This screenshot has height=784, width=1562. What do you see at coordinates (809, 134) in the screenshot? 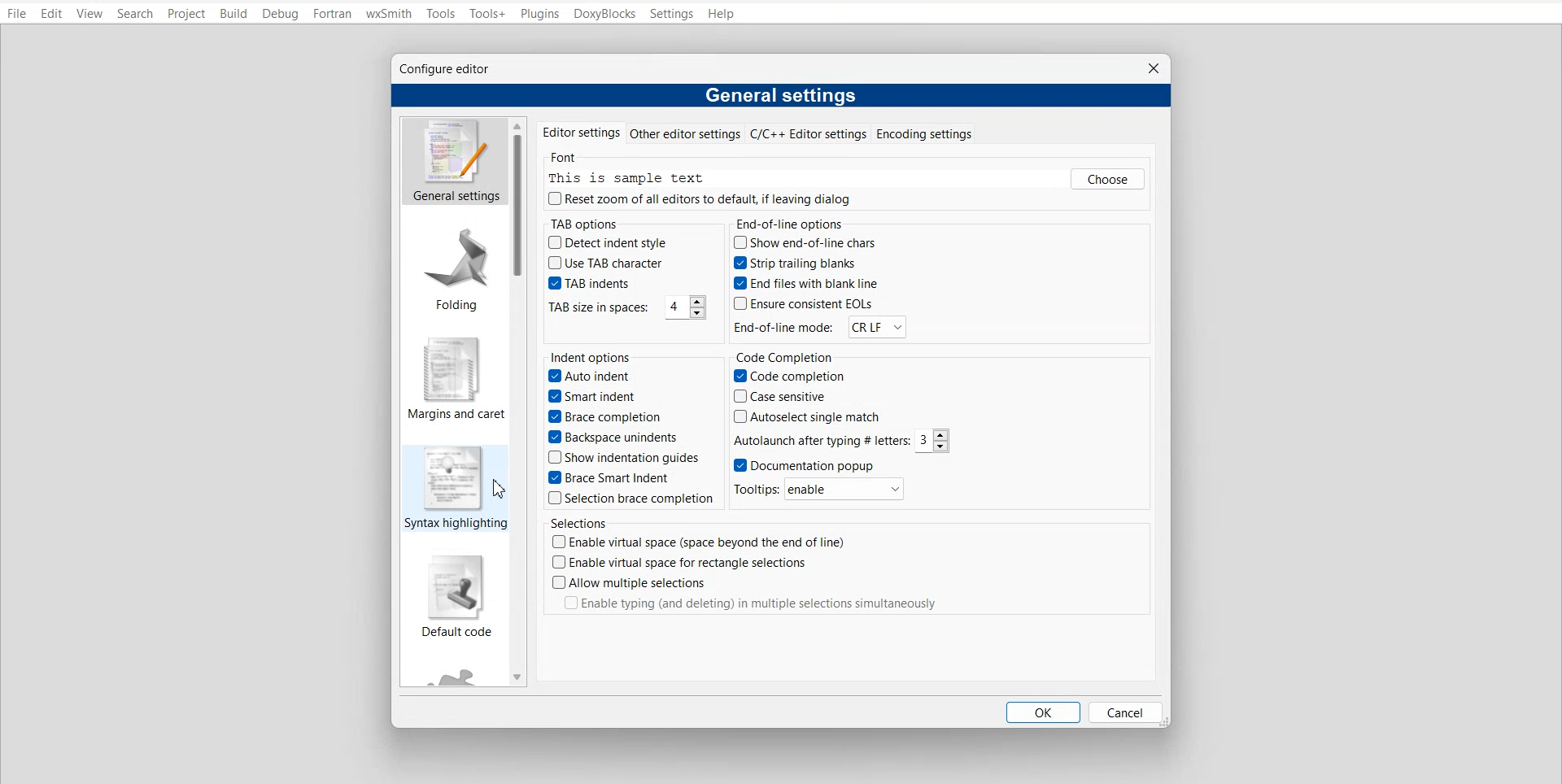
I see `C/C++ Editor settings` at bounding box center [809, 134].